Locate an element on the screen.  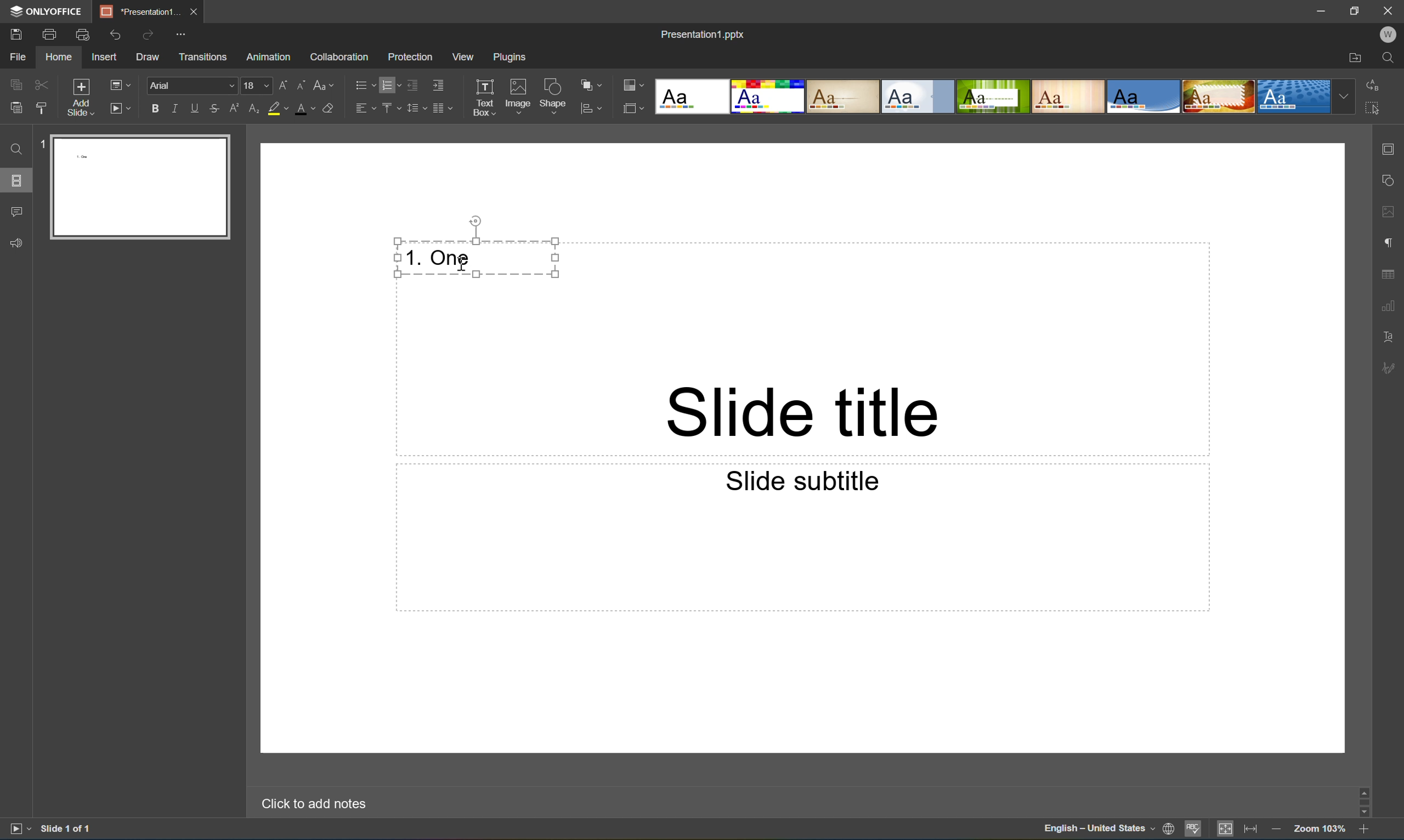
Align shape is located at coordinates (593, 110).